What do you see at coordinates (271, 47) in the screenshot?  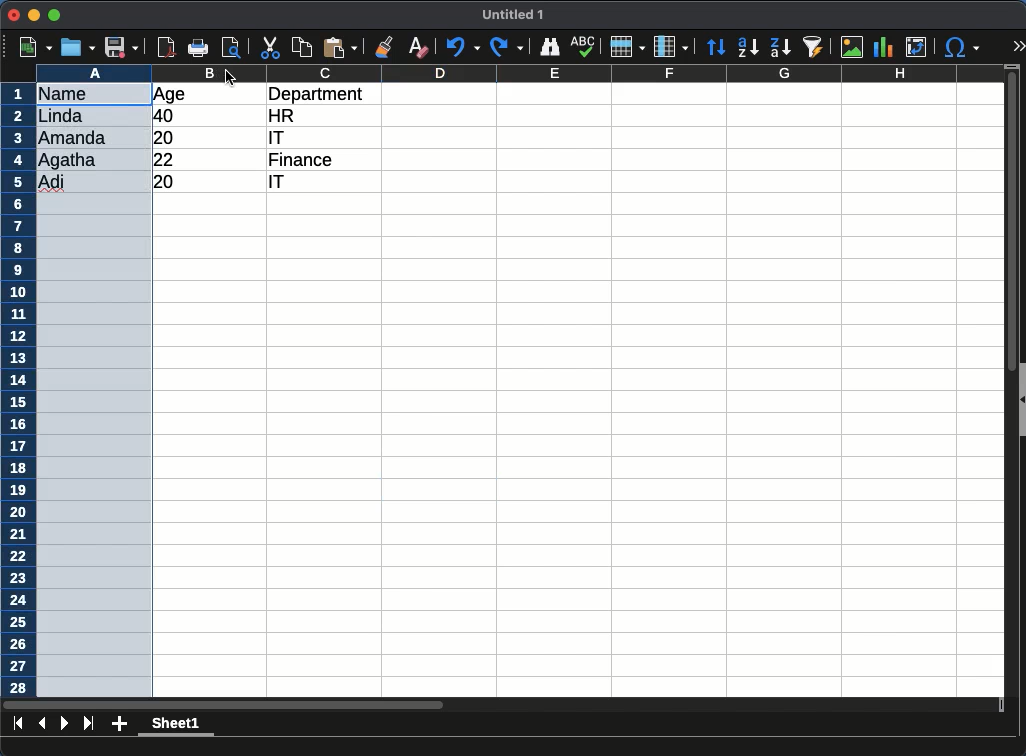 I see `cut` at bounding box center [271, 47].